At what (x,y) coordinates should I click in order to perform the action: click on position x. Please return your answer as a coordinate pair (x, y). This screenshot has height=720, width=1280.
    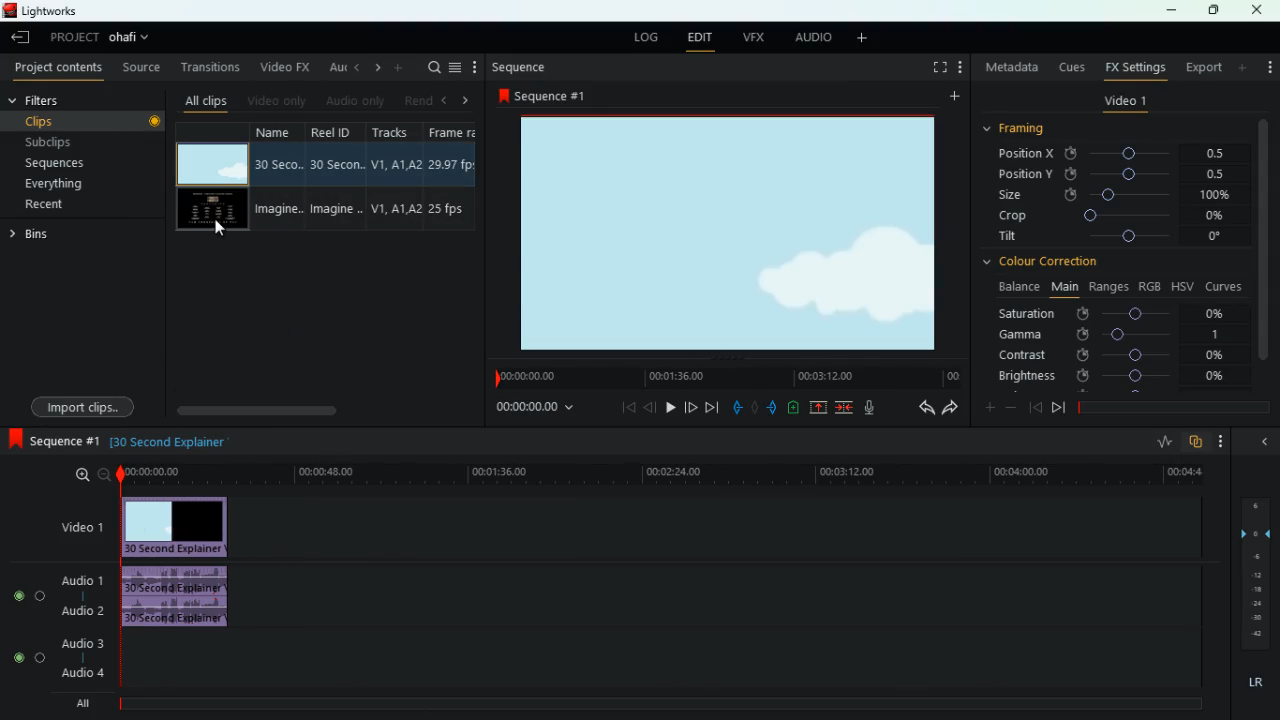
    Looking at the image, I should click on (1122, 154).